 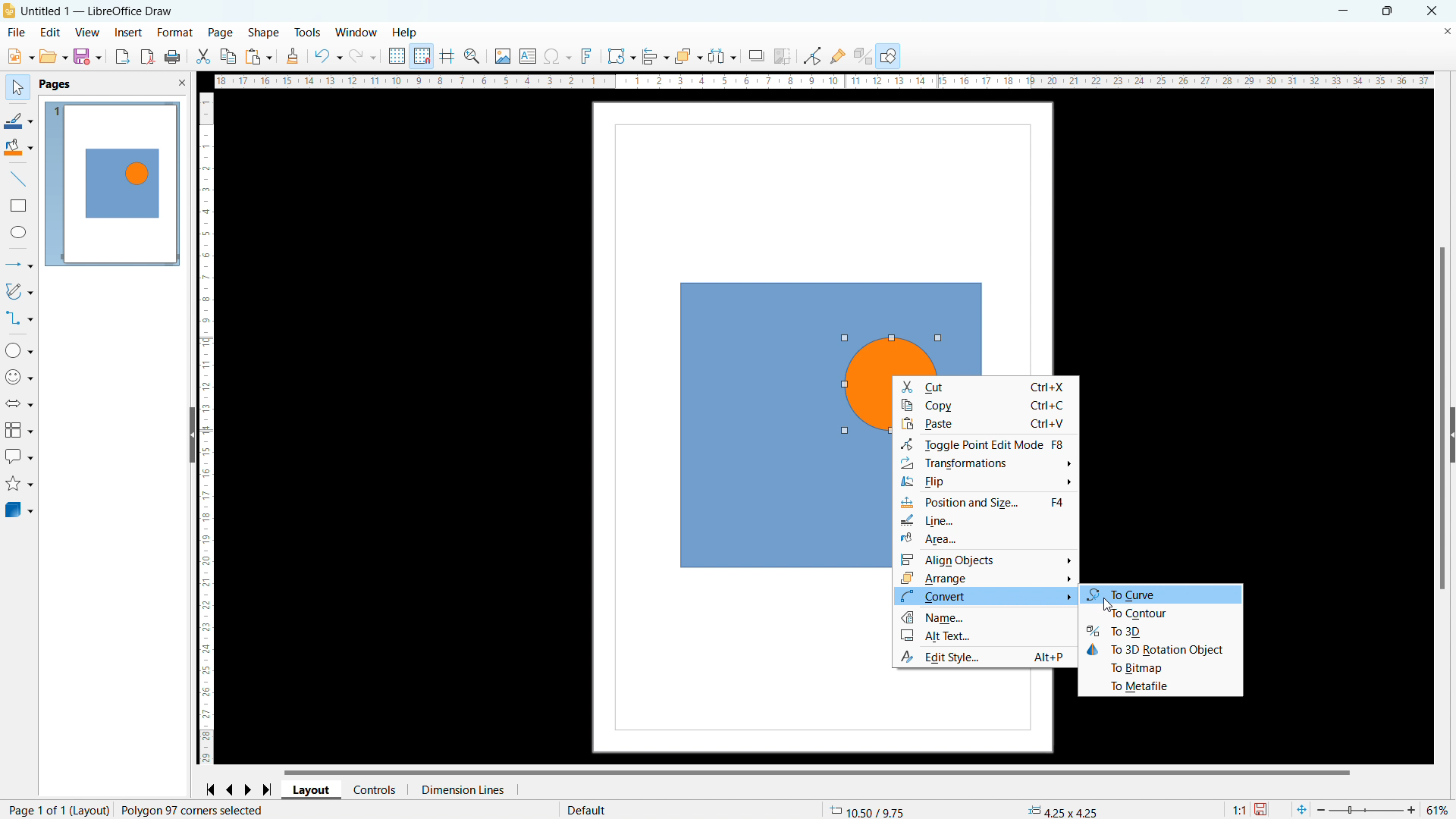 What do you see at coordinates (1388, 11) in the screenshot?
I see `maximize` at bounding box center [1388, 11].